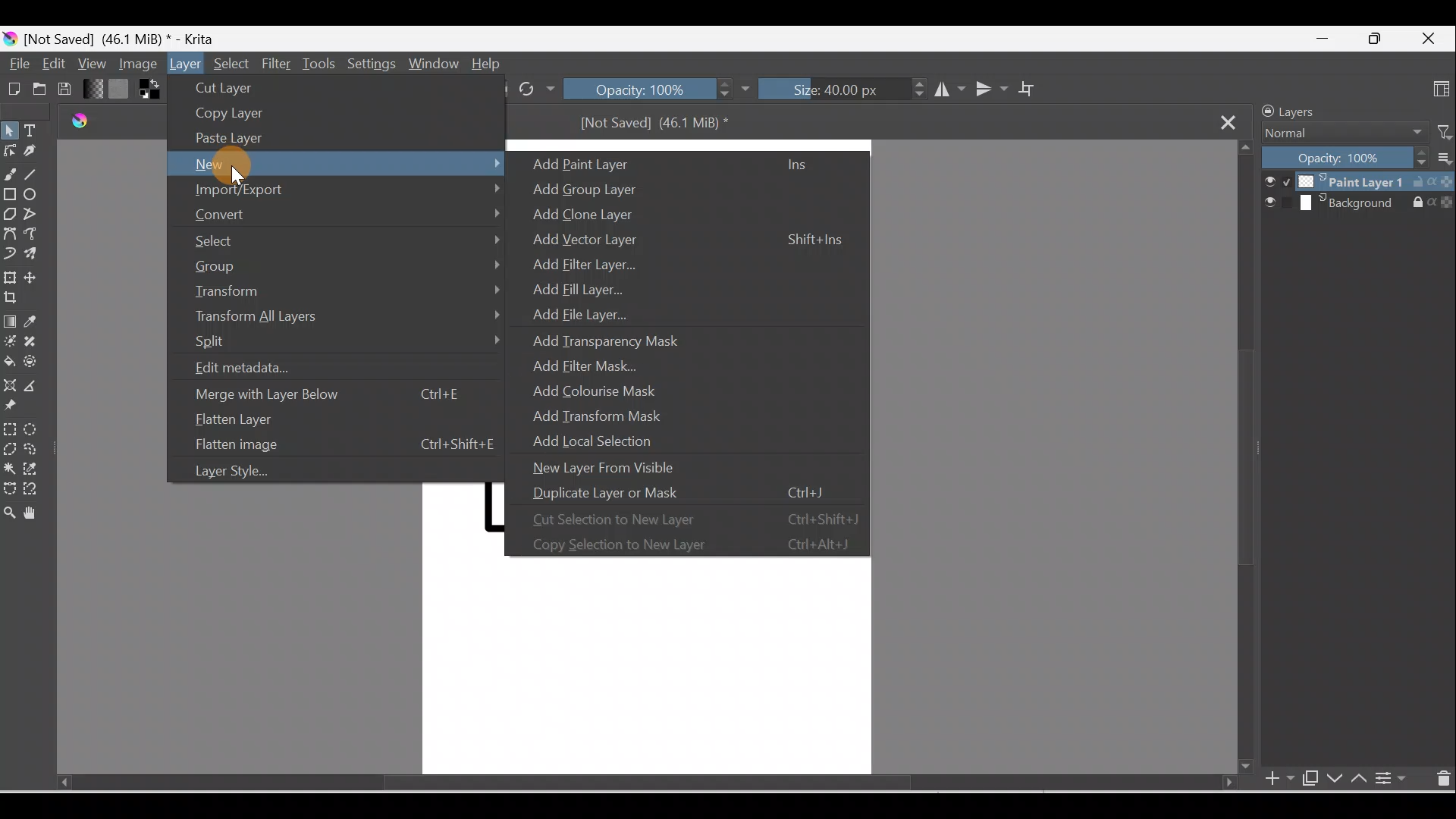 The width and height of the screenshot is (1456, 819). Describe the element at coordinates (135, 64) in the screenshot. I see `Image` at that location.